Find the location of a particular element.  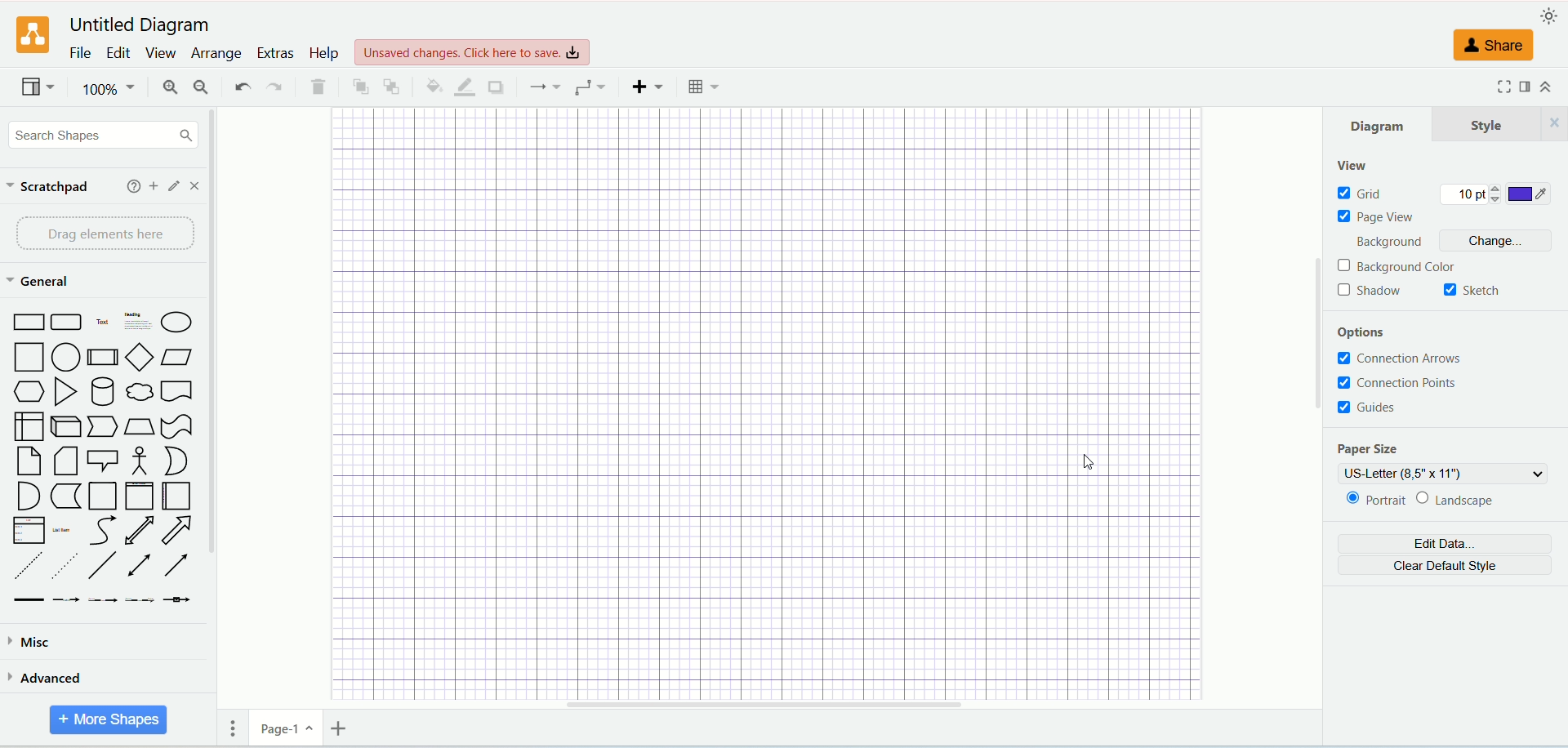

Connector with 3 Labels is located at coordinates (141, 601).